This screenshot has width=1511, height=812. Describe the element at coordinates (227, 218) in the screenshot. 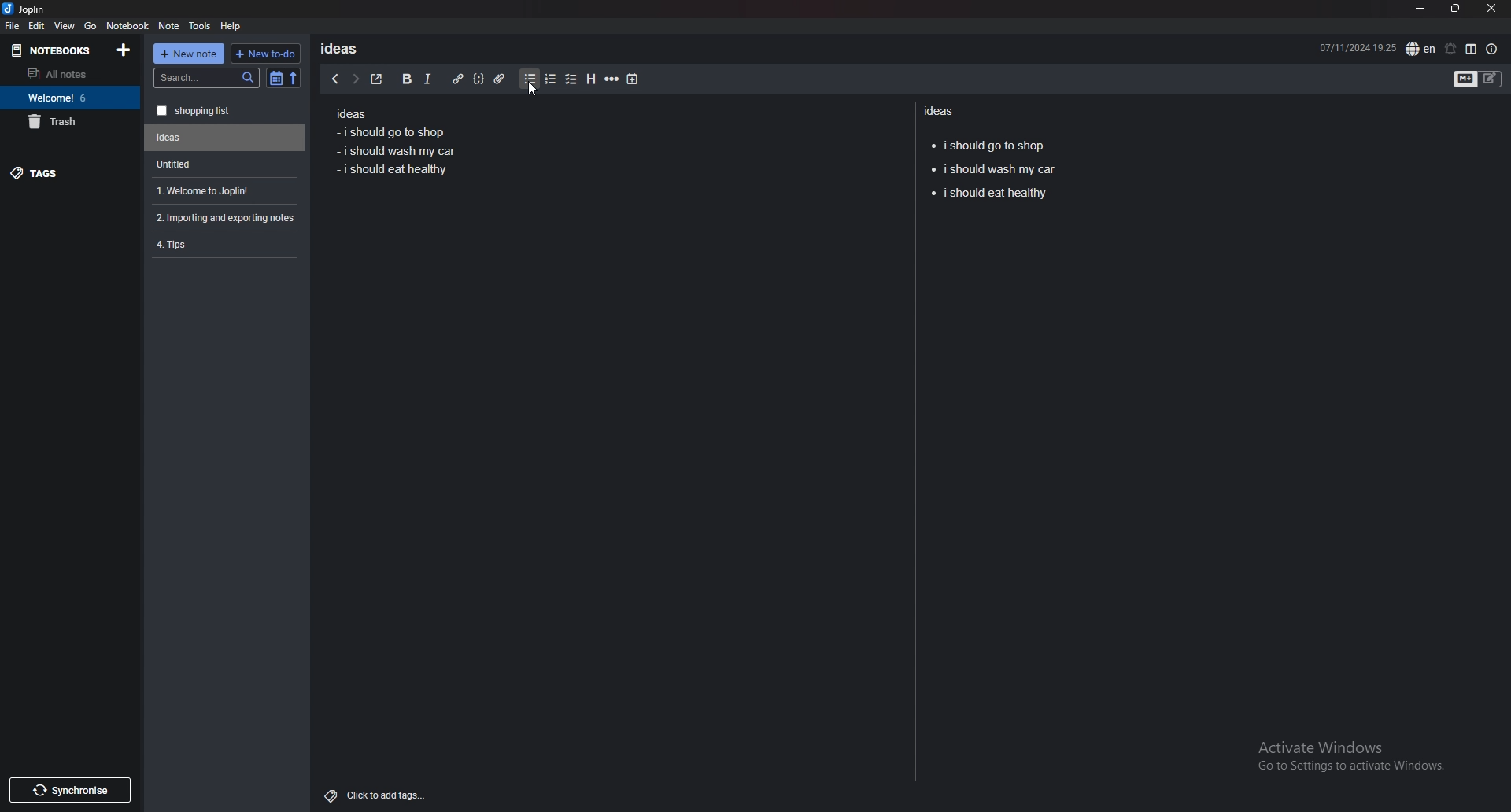

I see `Importing and exporting notes` at that location.